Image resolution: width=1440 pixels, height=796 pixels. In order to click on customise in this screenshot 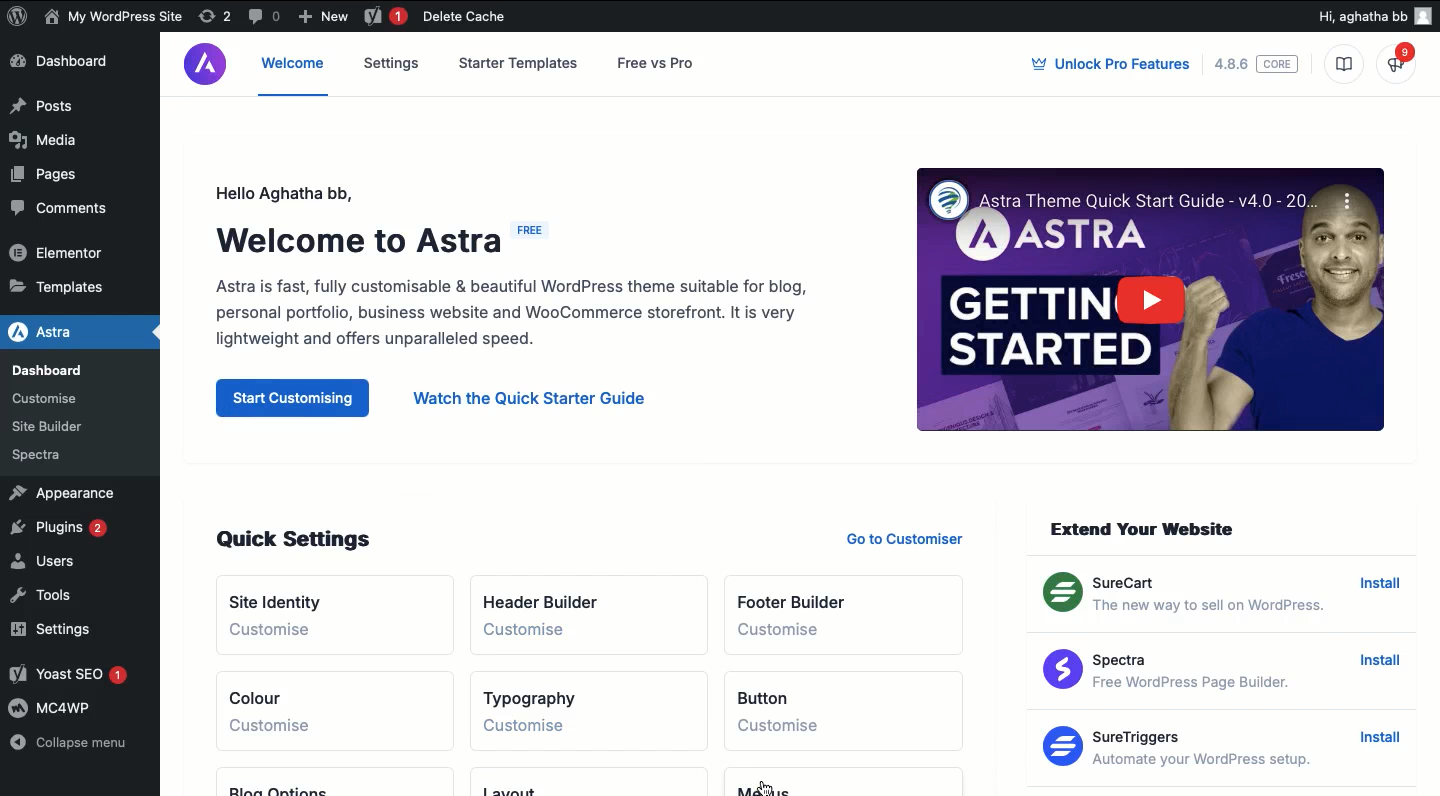, I will do `click(799, 727)`.